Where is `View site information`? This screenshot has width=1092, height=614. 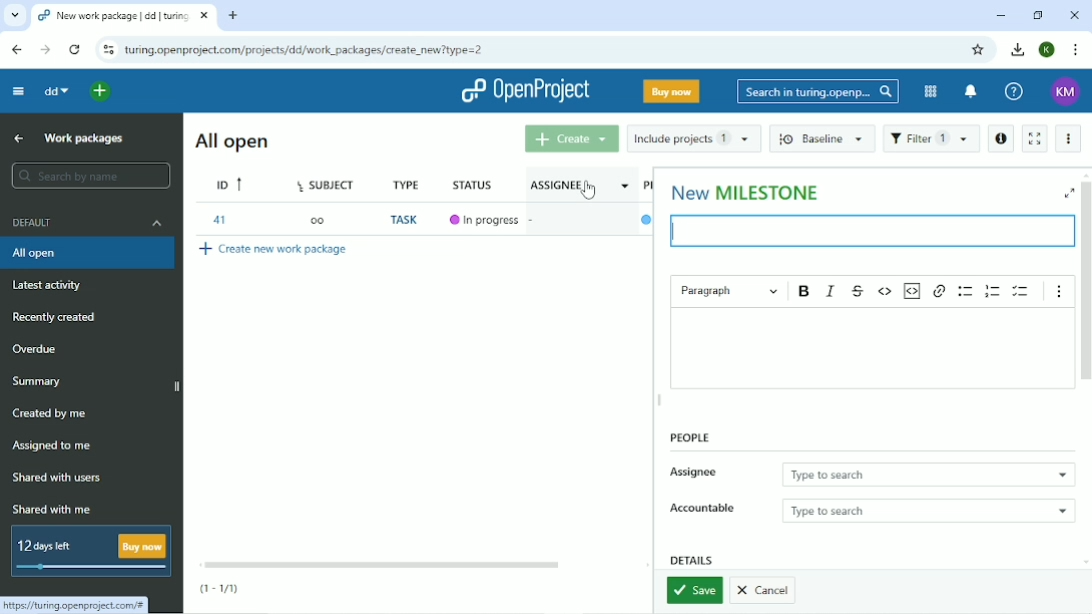 View site information is located at coordinates (107, 49).